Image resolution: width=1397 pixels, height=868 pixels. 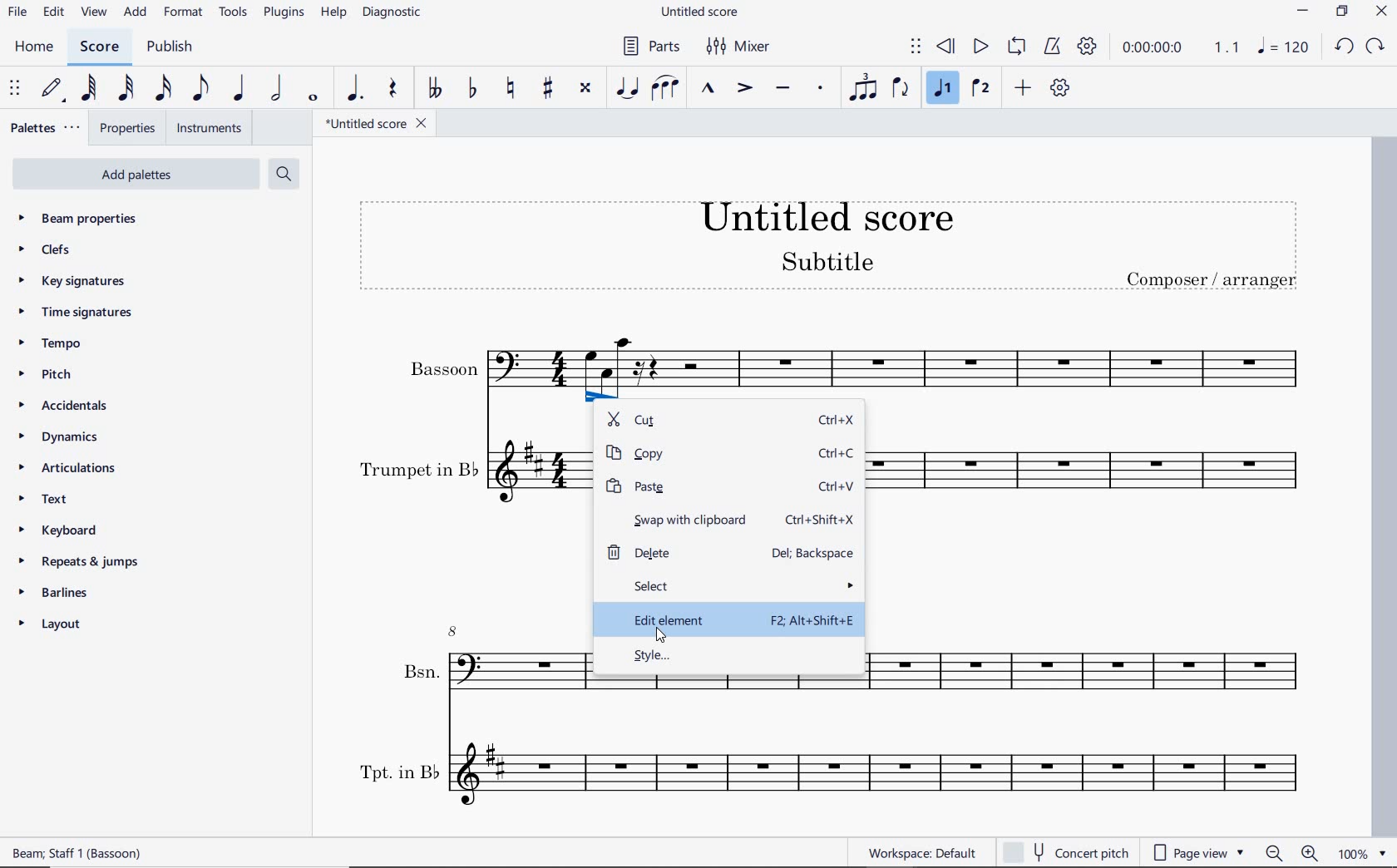 I want to click on file, so click(x=17, y=13).